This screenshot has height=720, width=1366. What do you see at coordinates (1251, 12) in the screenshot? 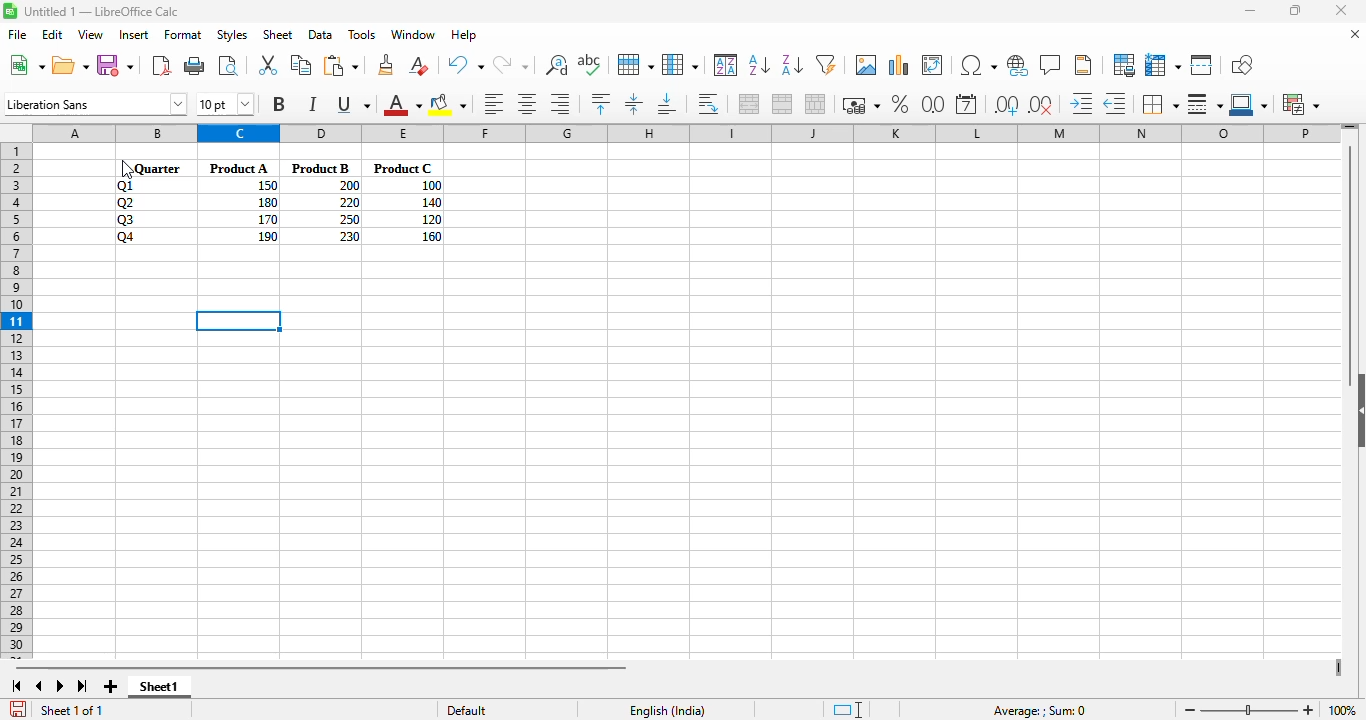
I see `minimize` at bounding box center [1251, 12].